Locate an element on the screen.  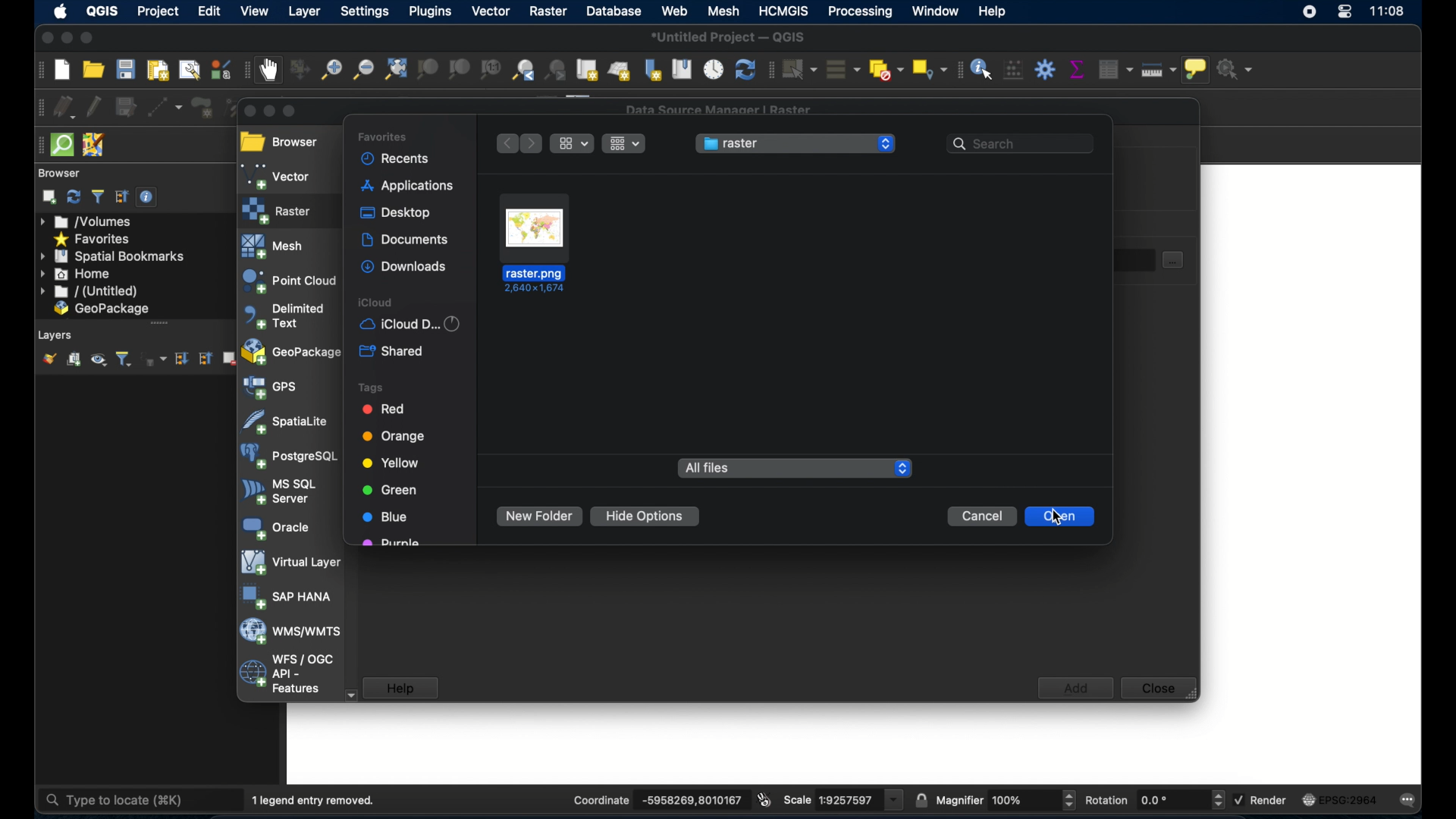
style manager is located at coordinates (220, 69).